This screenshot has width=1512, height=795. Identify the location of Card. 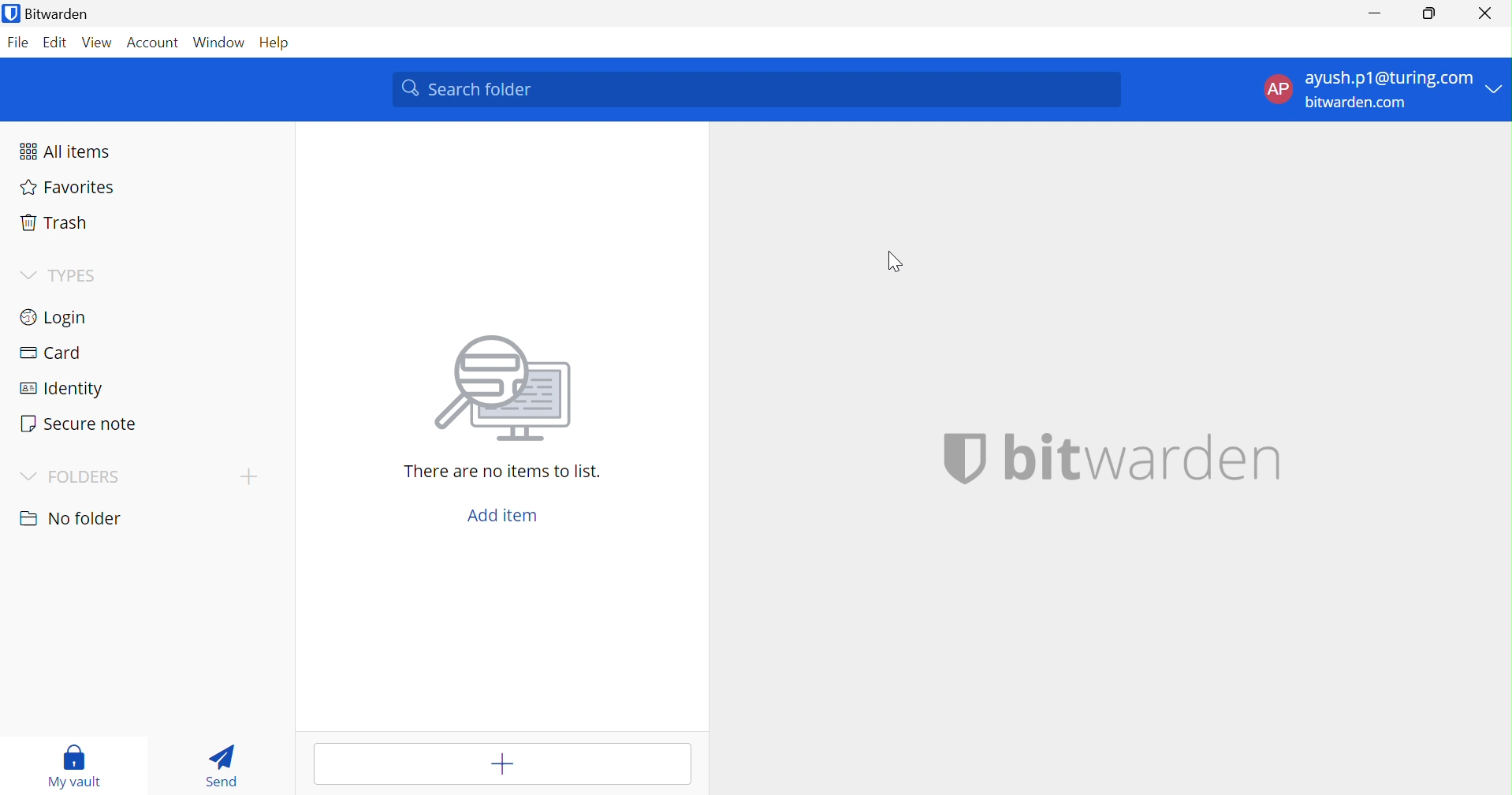
(50, 354).